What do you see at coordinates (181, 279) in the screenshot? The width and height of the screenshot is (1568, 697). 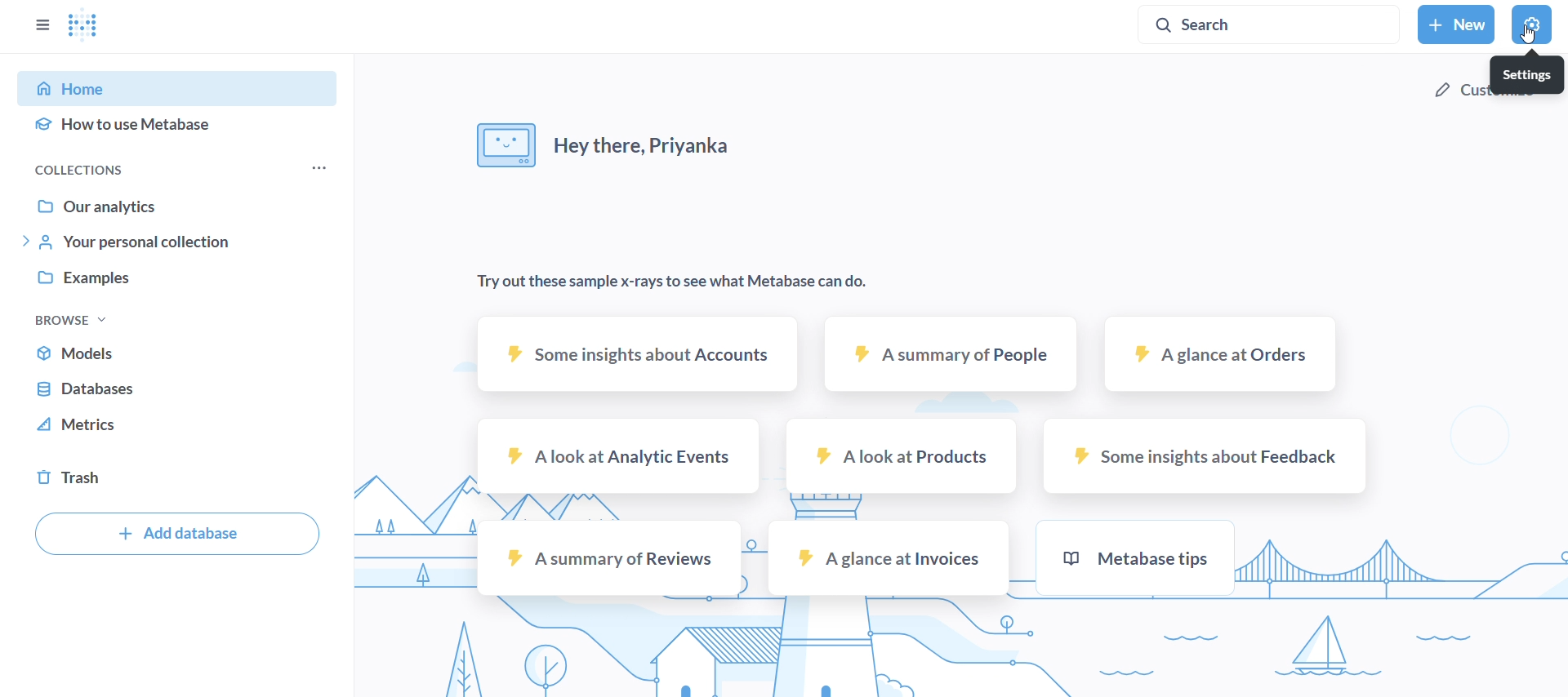 I see `examples` at bounding box center [181, 279].